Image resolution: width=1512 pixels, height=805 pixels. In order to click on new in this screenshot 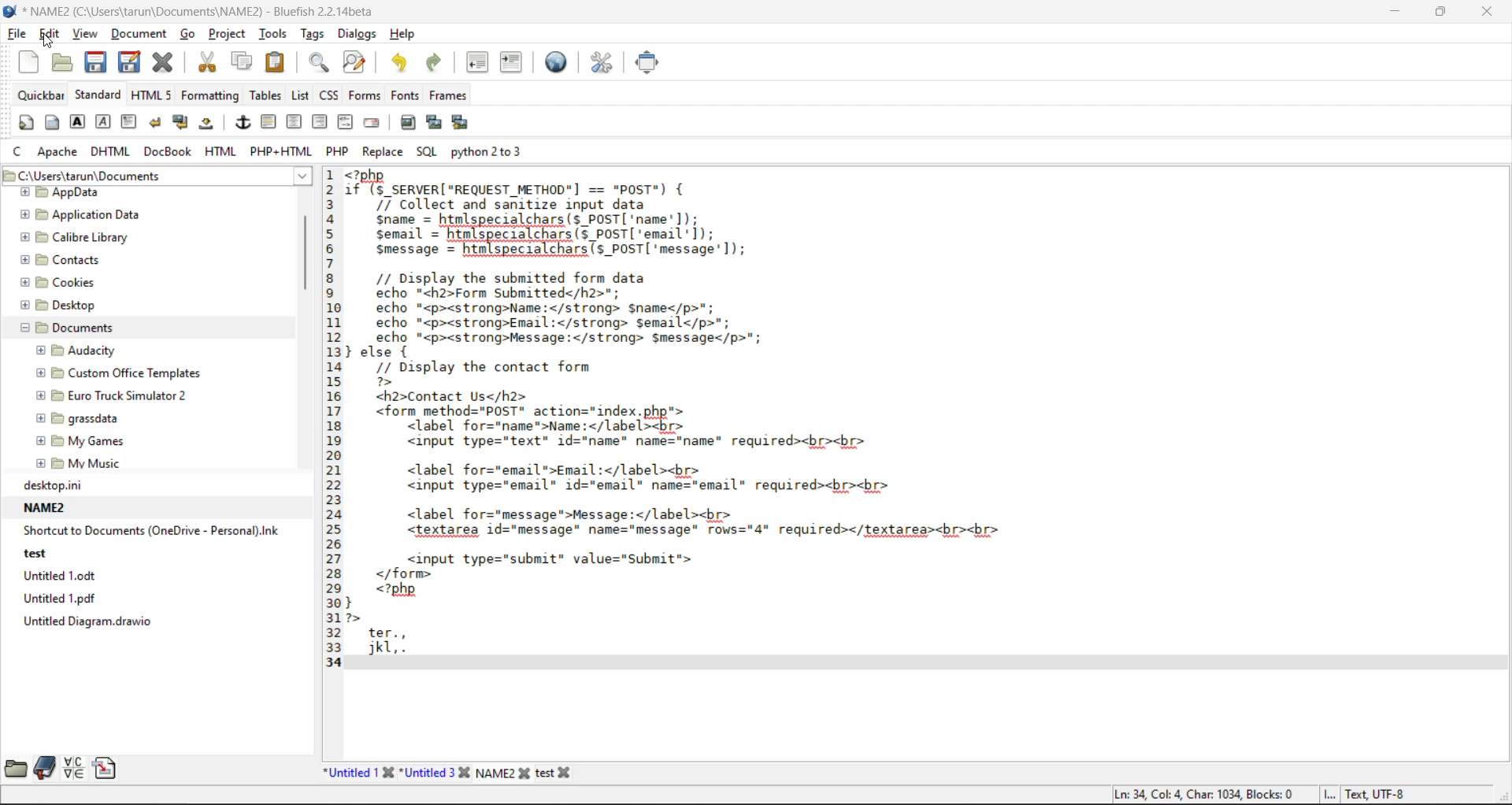, I will do `click(27, 64)`.